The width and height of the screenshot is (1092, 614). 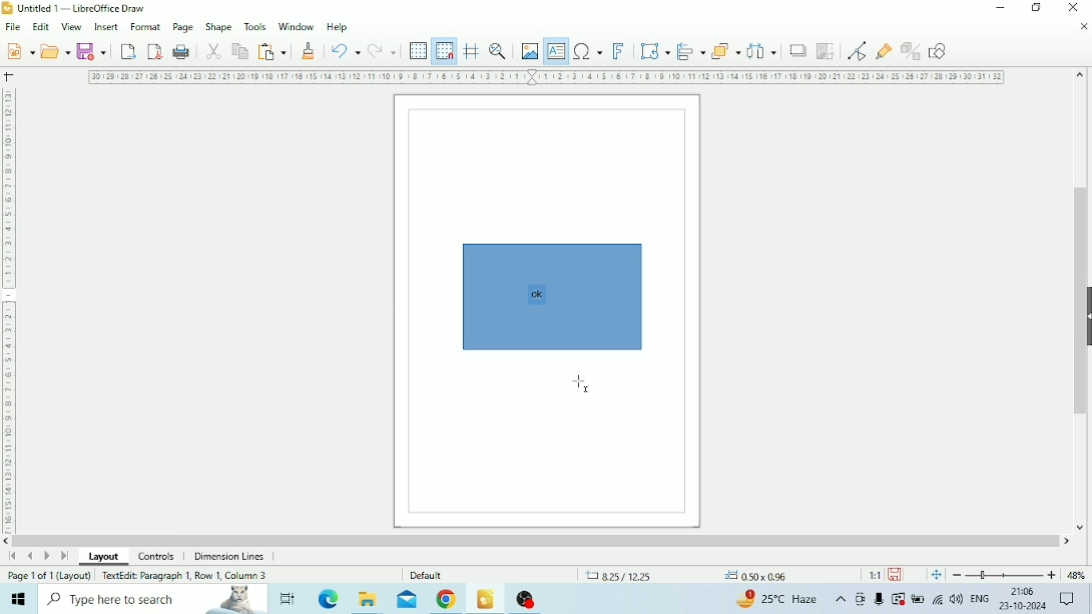 What do you see at coordinates (498, 52) in the screenshot?
I see `Zoom & Pan` at bounding box center [498, 52].